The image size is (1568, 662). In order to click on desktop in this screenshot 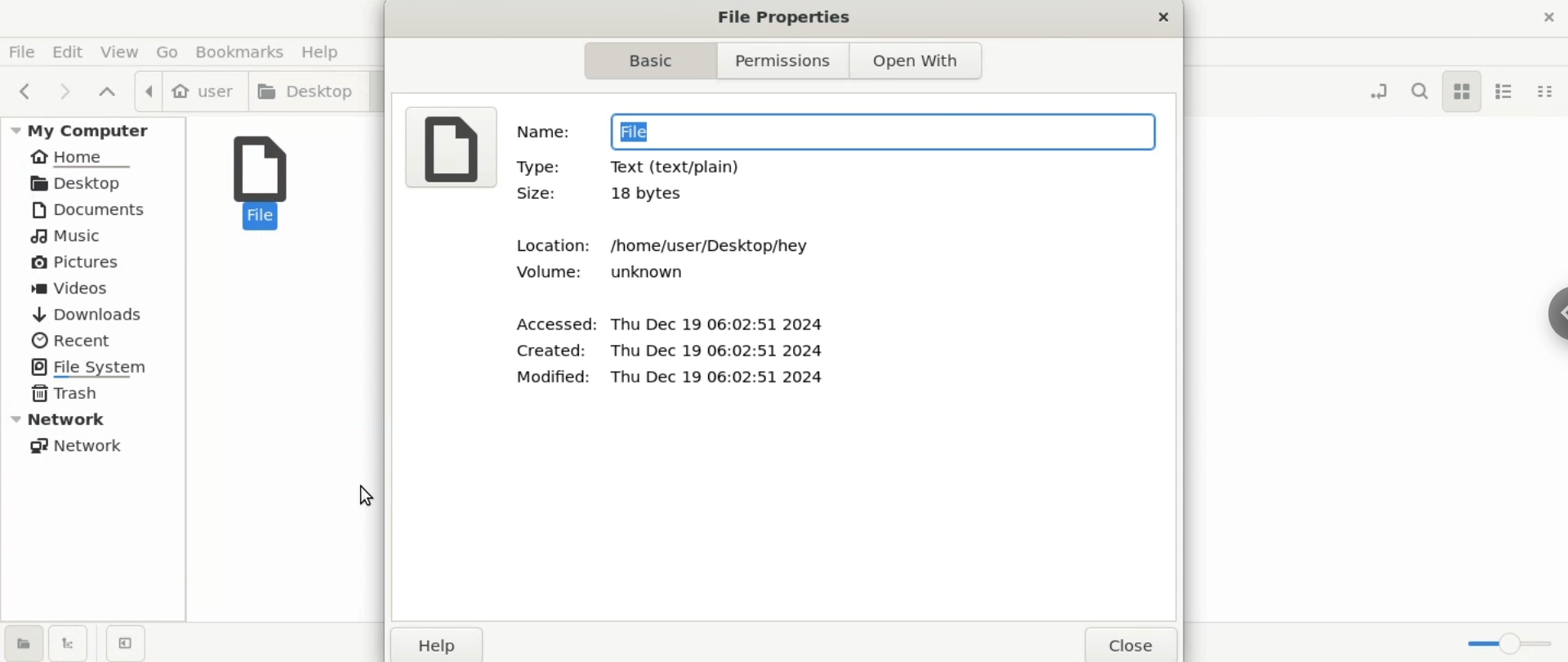, I will do `click(310, 92)`.